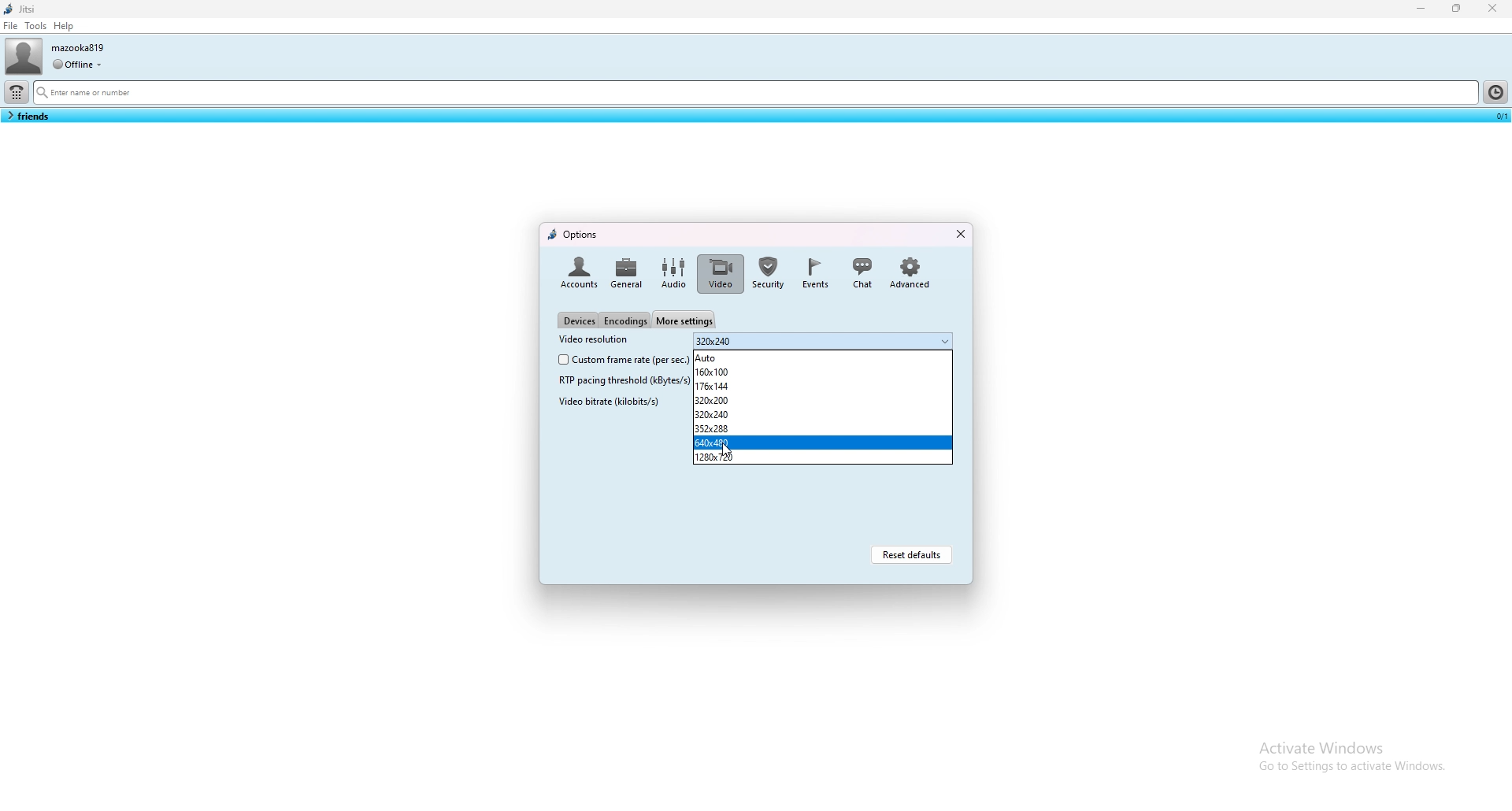  Describe the element at coordinates (862, 271) in the screenshot. I see `chat` at that location.